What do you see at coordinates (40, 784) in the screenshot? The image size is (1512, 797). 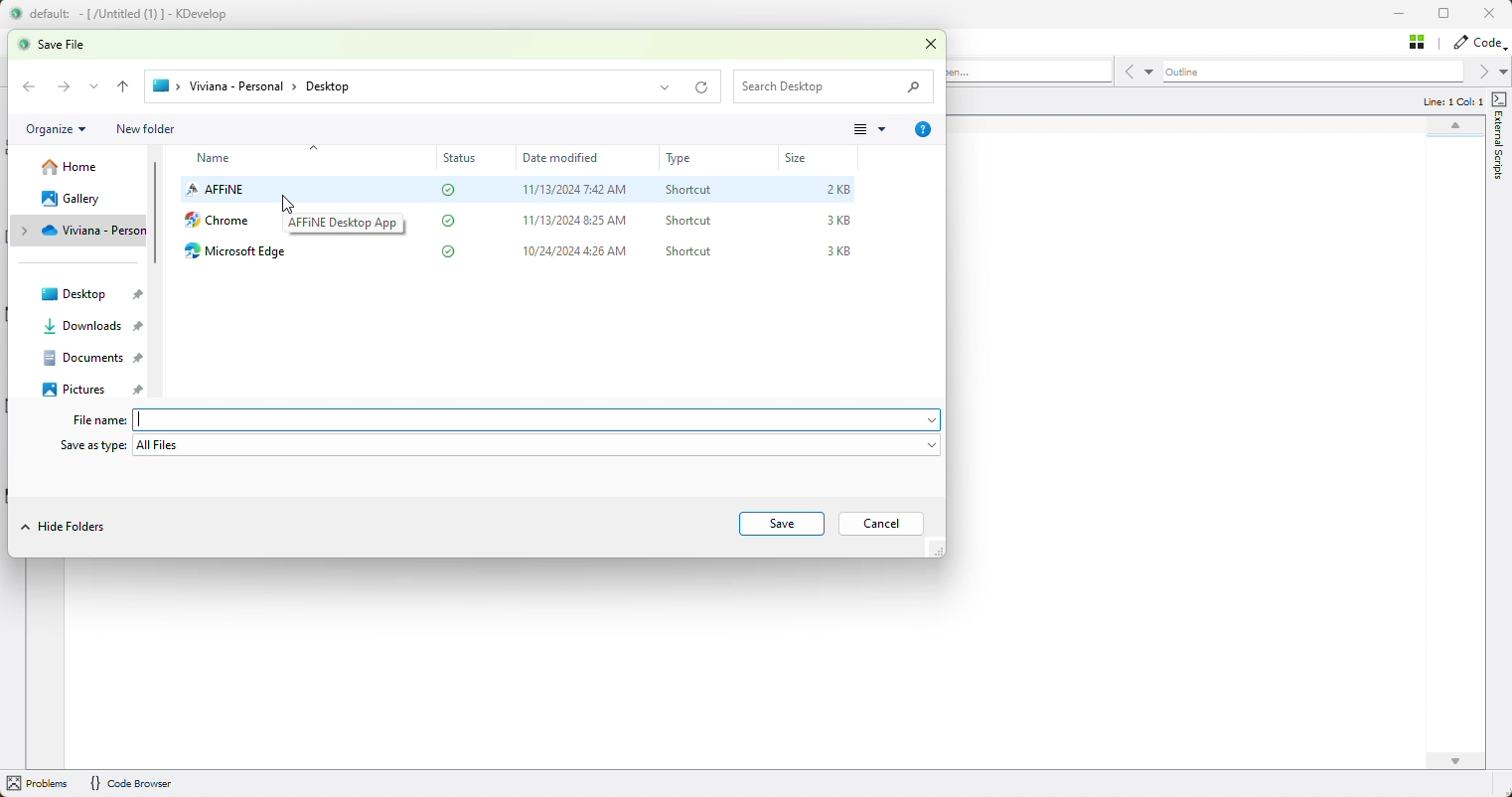 I see `problems` at bounding box center [40, 784].